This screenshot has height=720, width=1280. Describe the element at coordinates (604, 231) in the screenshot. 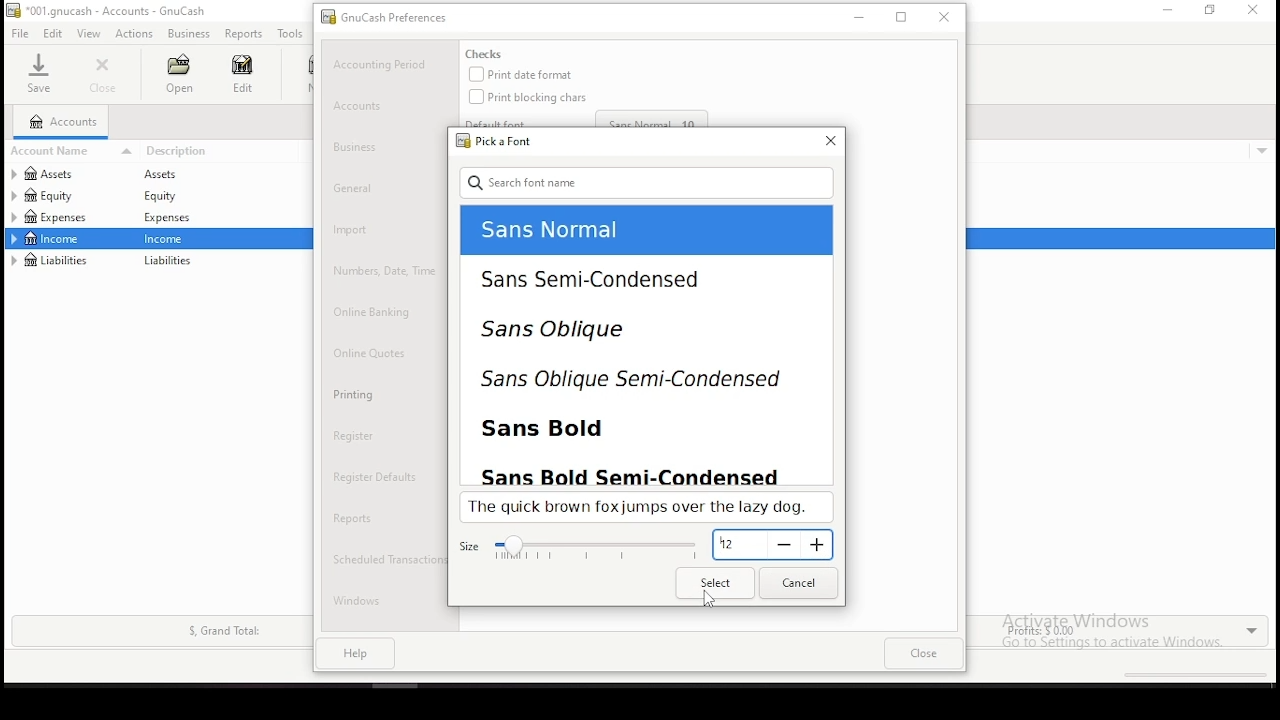

I see `font option` at that location.